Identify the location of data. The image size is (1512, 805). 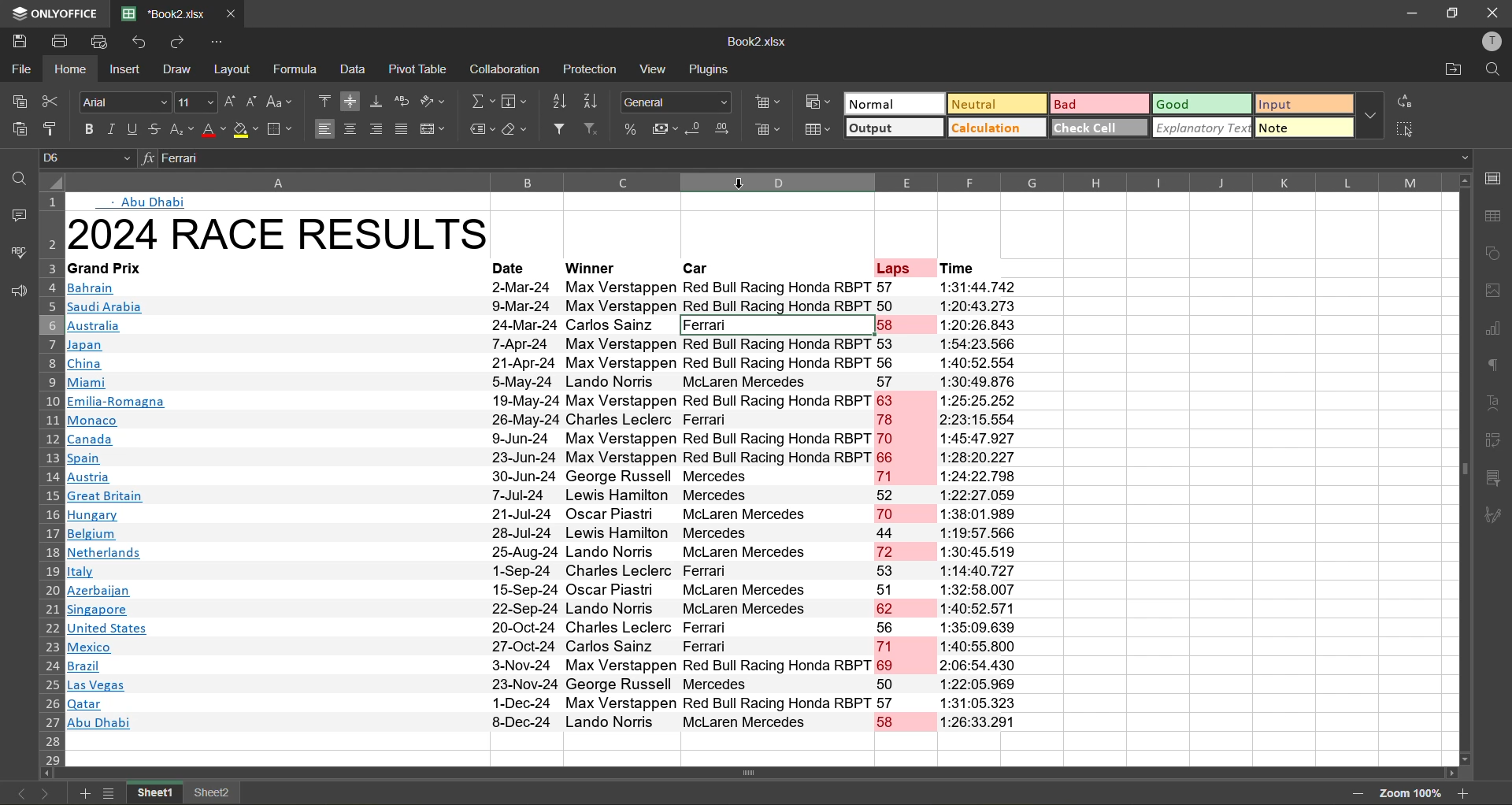
(356, 70).